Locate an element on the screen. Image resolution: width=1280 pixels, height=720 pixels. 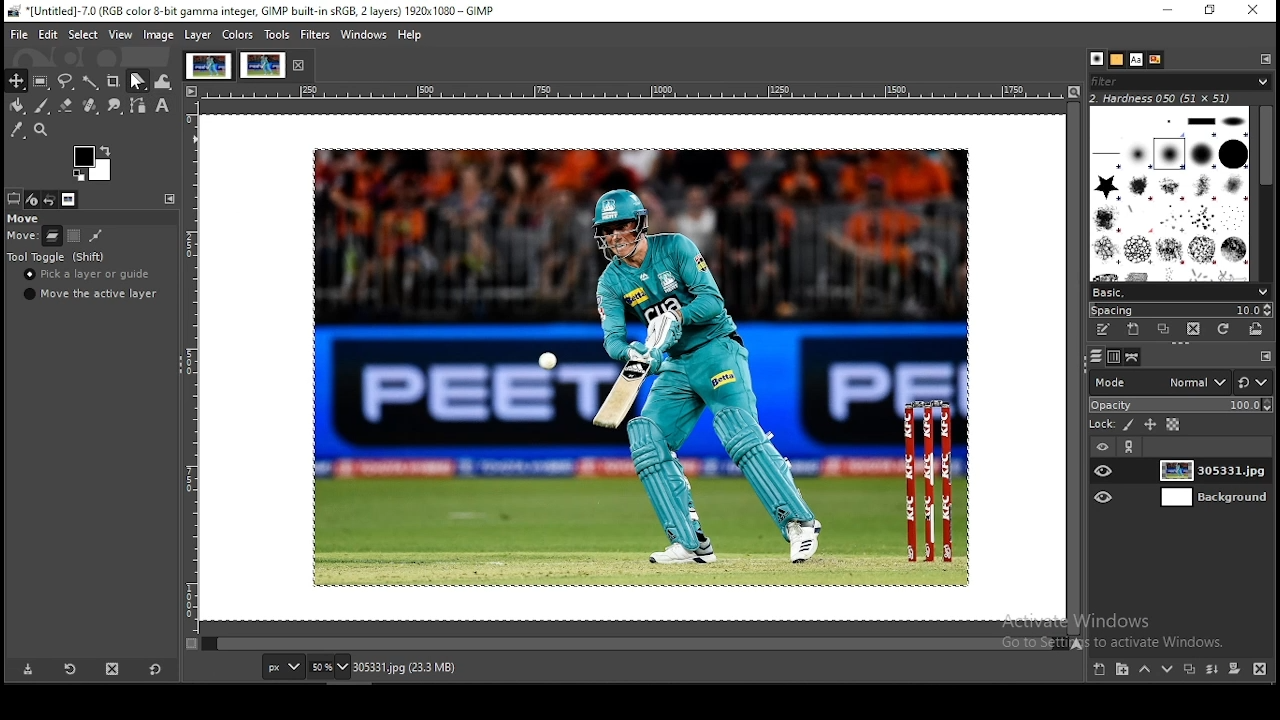
mask layer is located at coordinates (1234, 669).